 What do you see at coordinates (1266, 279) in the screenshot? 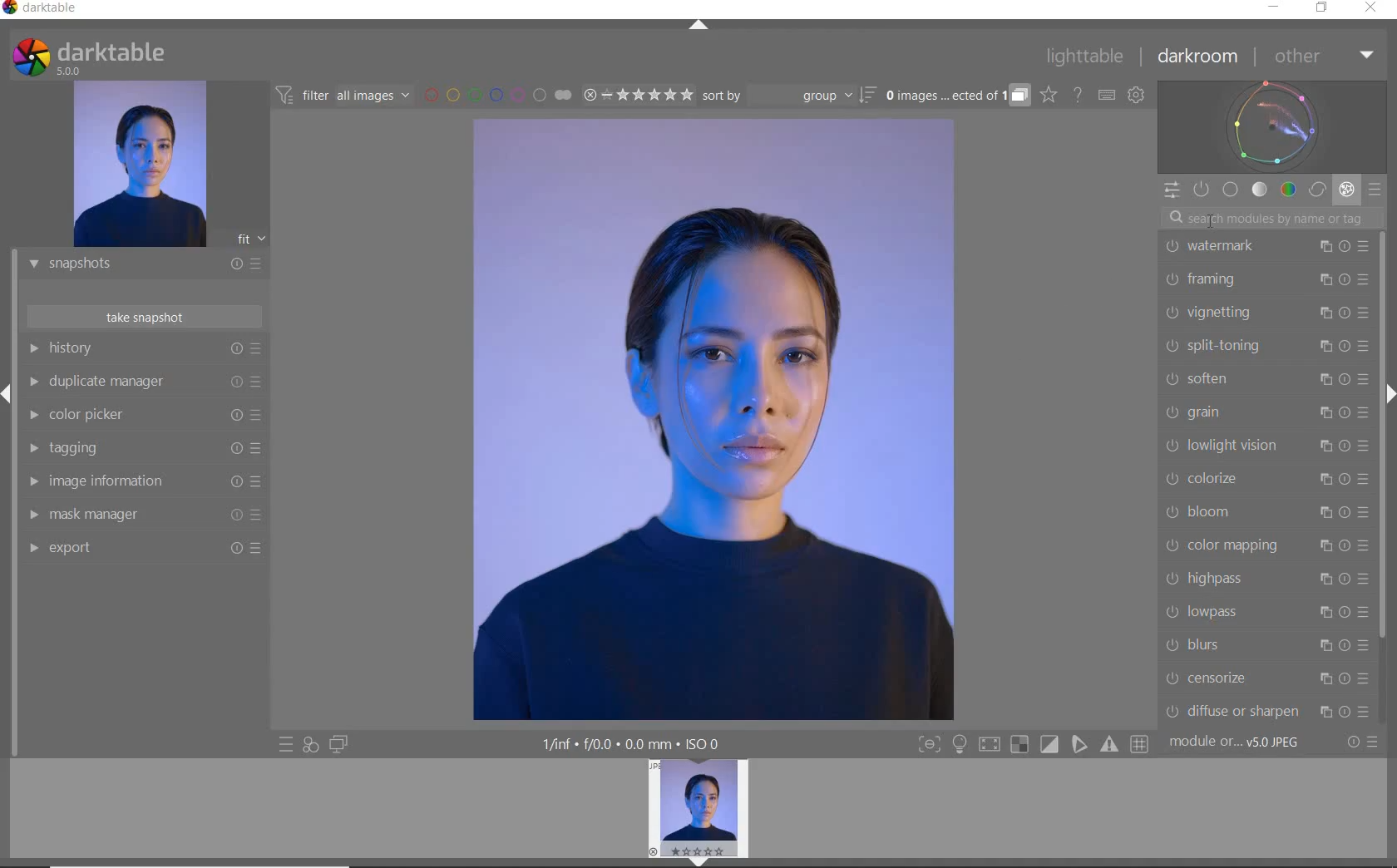
I see `FRAMING` at bounding box center [1266, 279].